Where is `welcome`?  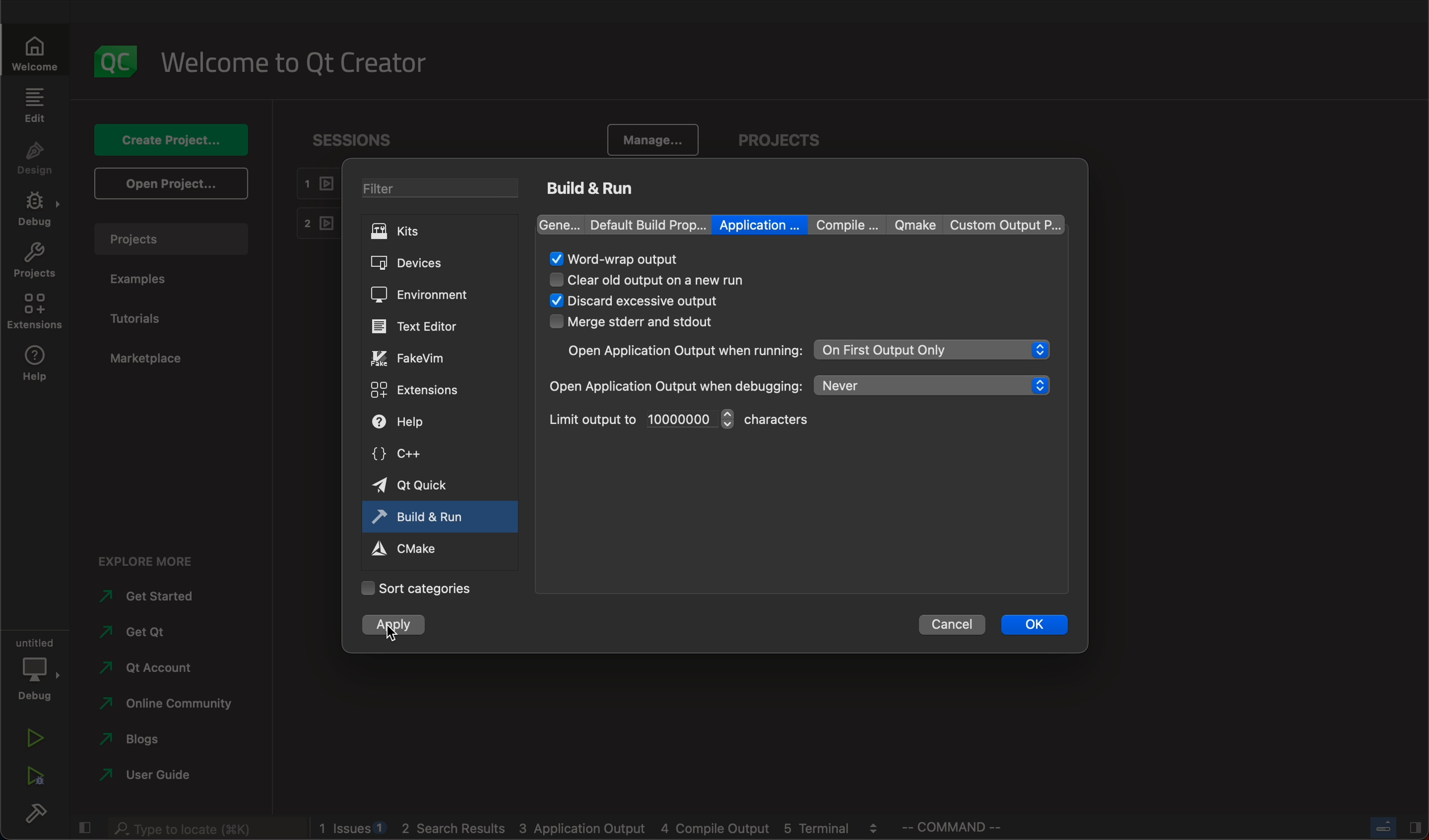 welcome is located at coordinates (298, 63).